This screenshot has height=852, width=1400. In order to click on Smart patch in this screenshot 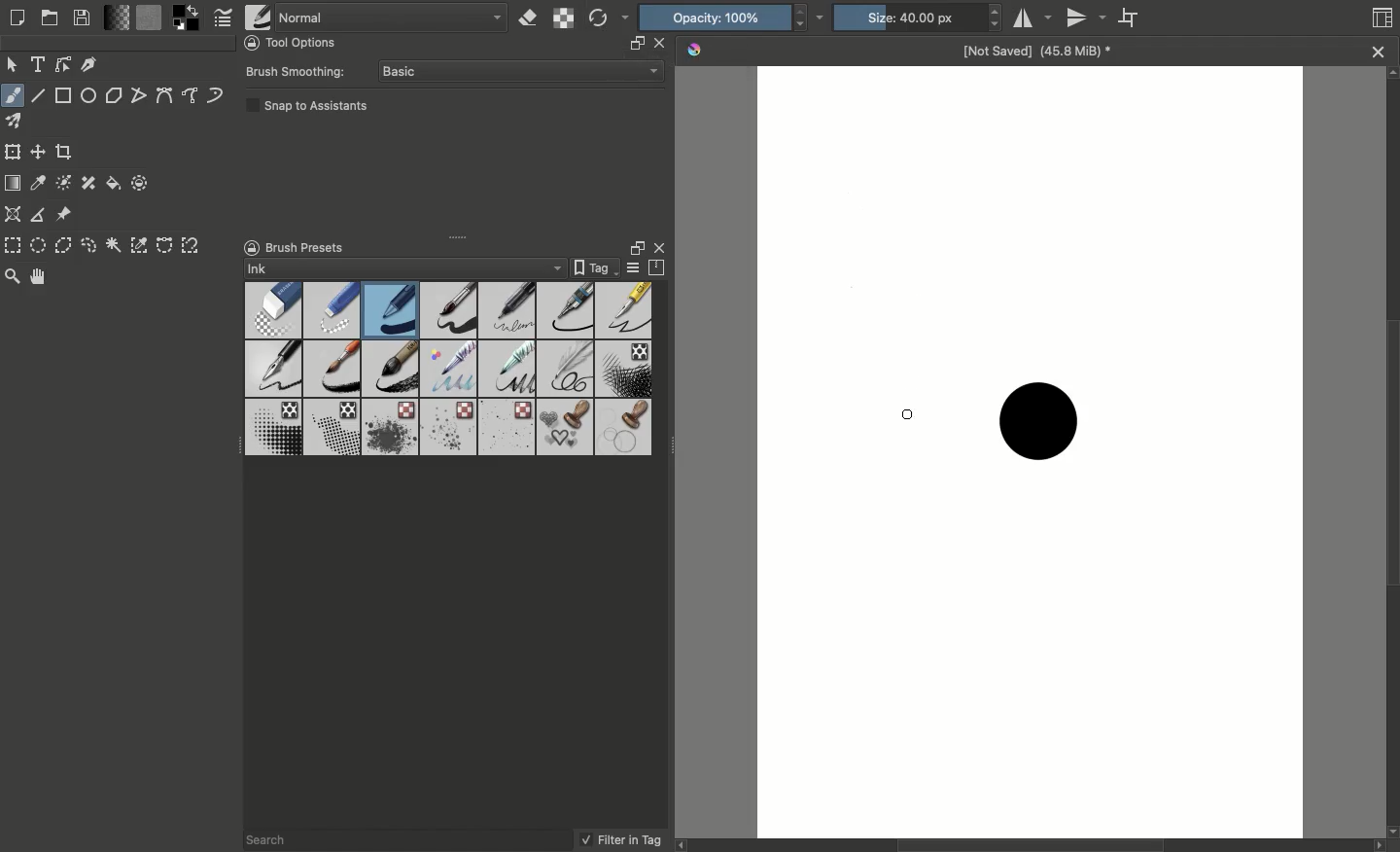, I will do `click(91, 183)`.